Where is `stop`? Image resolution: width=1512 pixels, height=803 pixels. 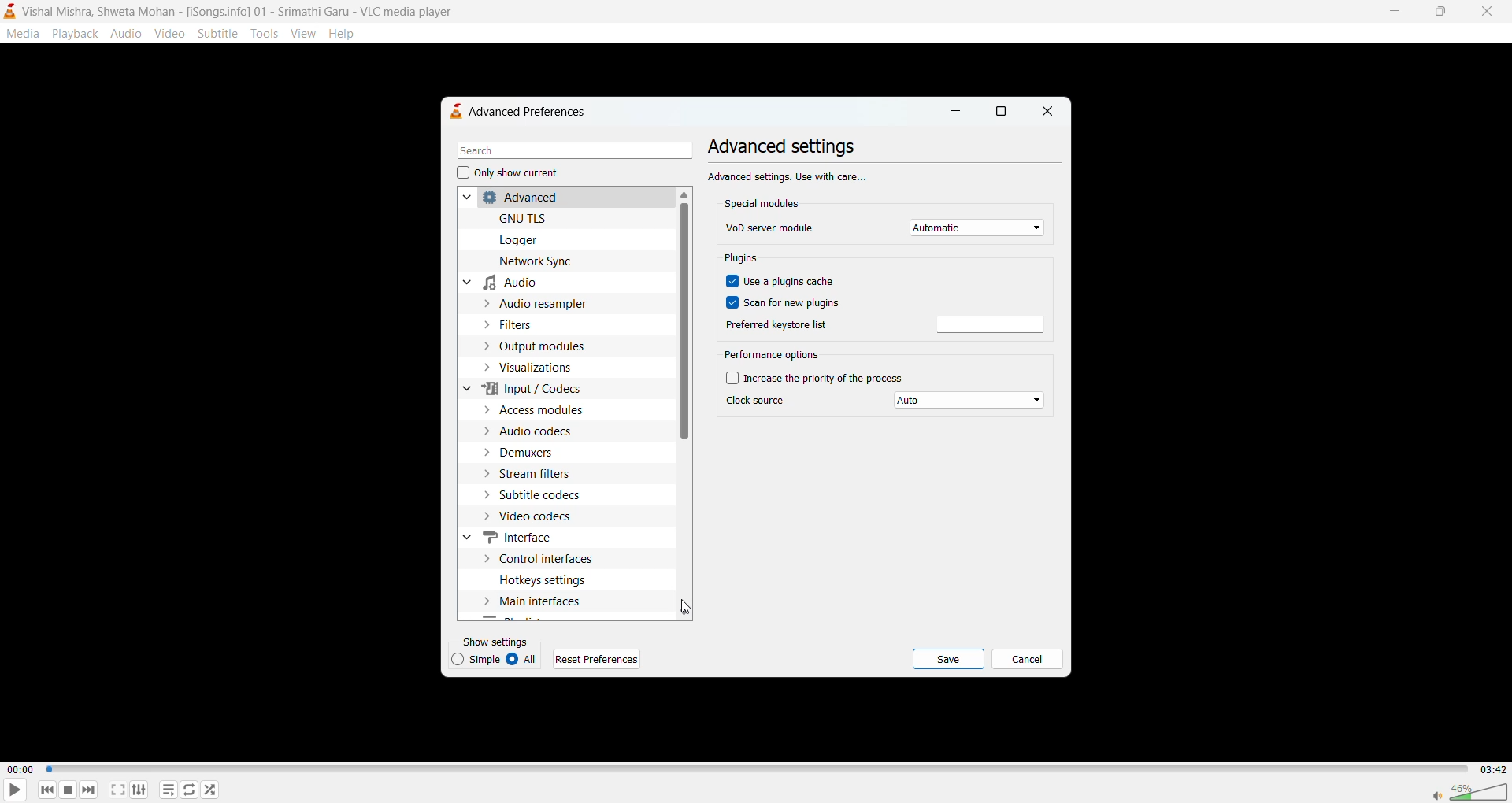
stop is located at coordinates (65, 790).